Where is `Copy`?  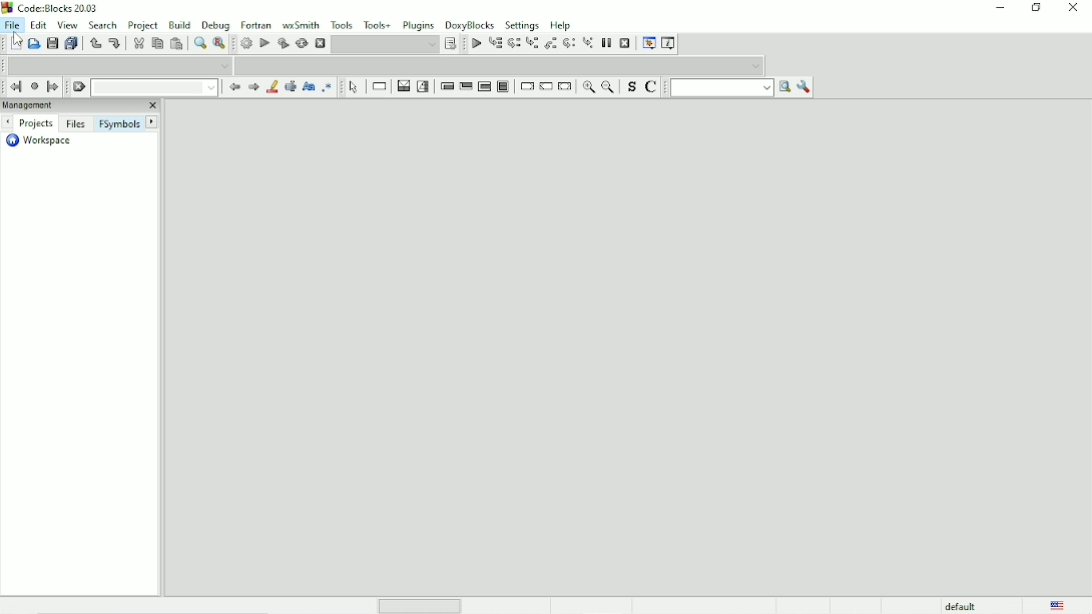 Copy is located at coordinates (156, 44).